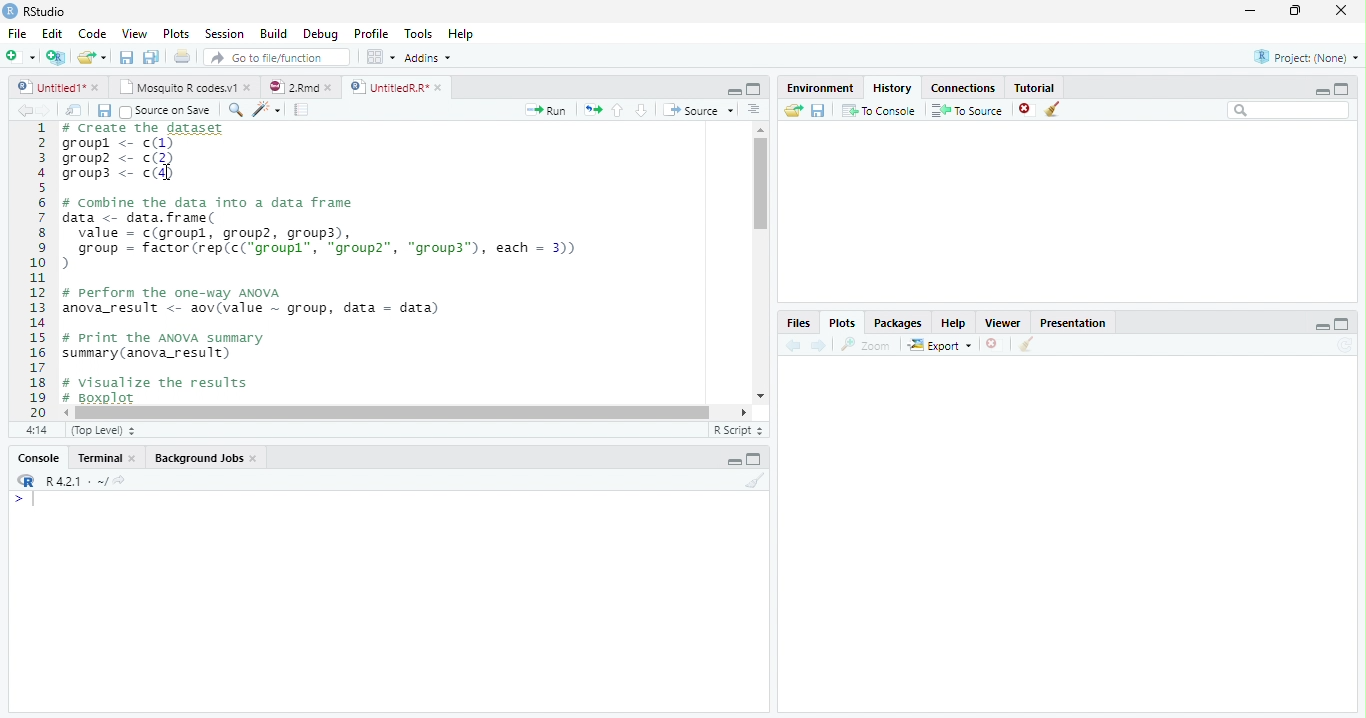 The height and width of the screenshot is (718, 1366). Describe the element at coordinates (176, 34) in the screenshot. I see `Plots` at that location.